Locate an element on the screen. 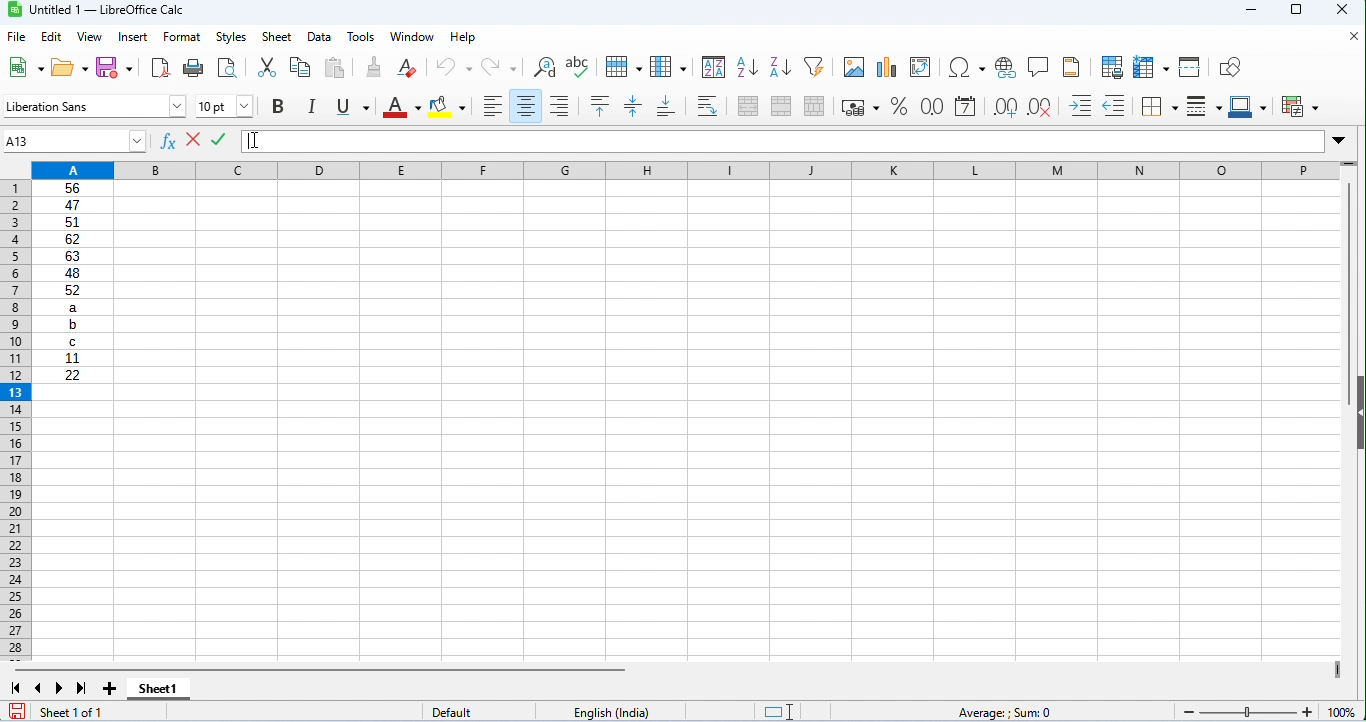 Image resolution: width=1366 pixels, height=722 pixels. align top is located at coordinates (598, 105).